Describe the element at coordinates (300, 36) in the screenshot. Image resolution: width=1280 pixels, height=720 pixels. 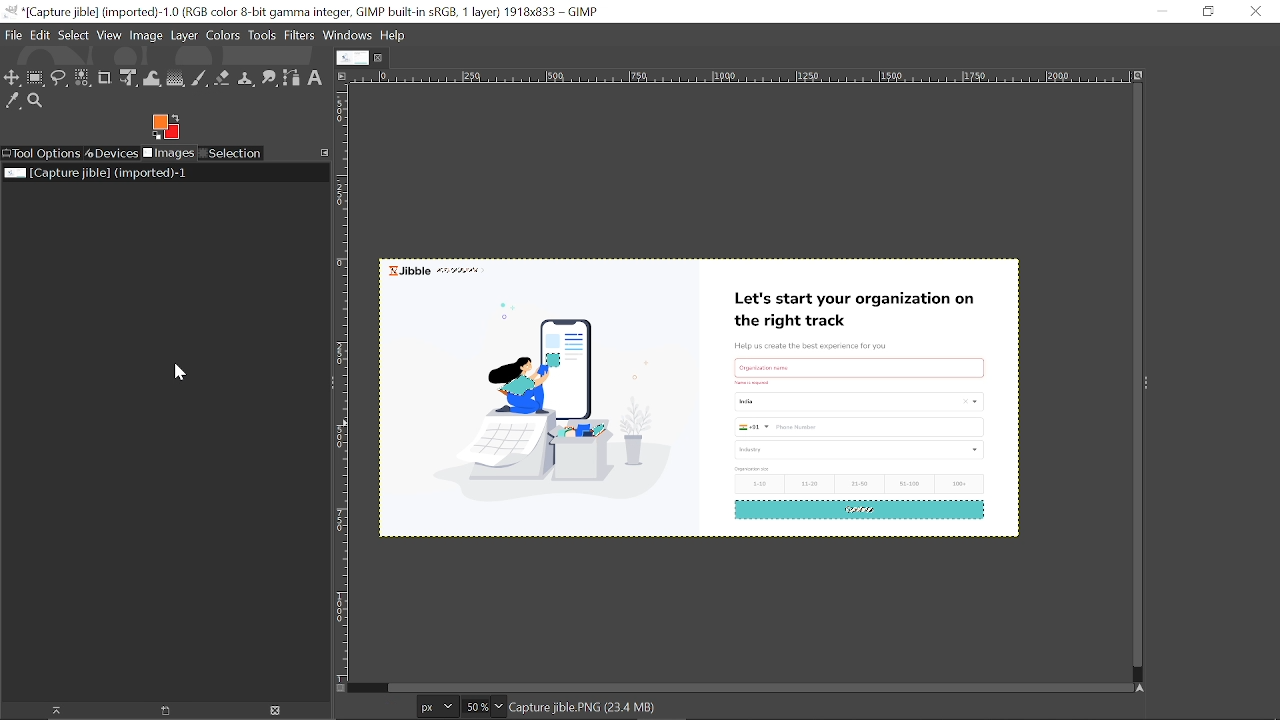
I see `Filters` at that location.